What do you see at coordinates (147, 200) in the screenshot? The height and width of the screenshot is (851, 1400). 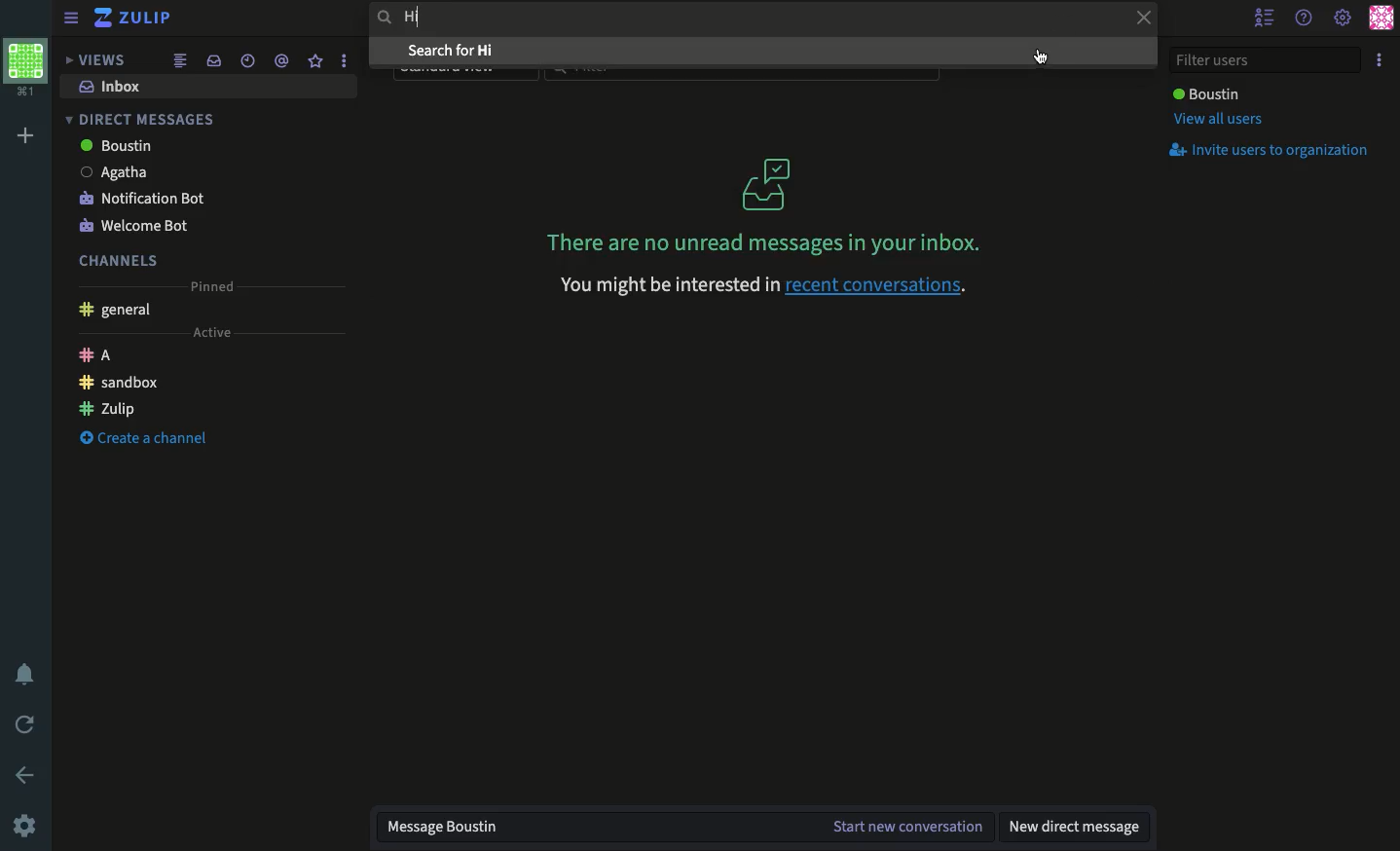 I see `Notification bot` at bounding box center [147, 200].